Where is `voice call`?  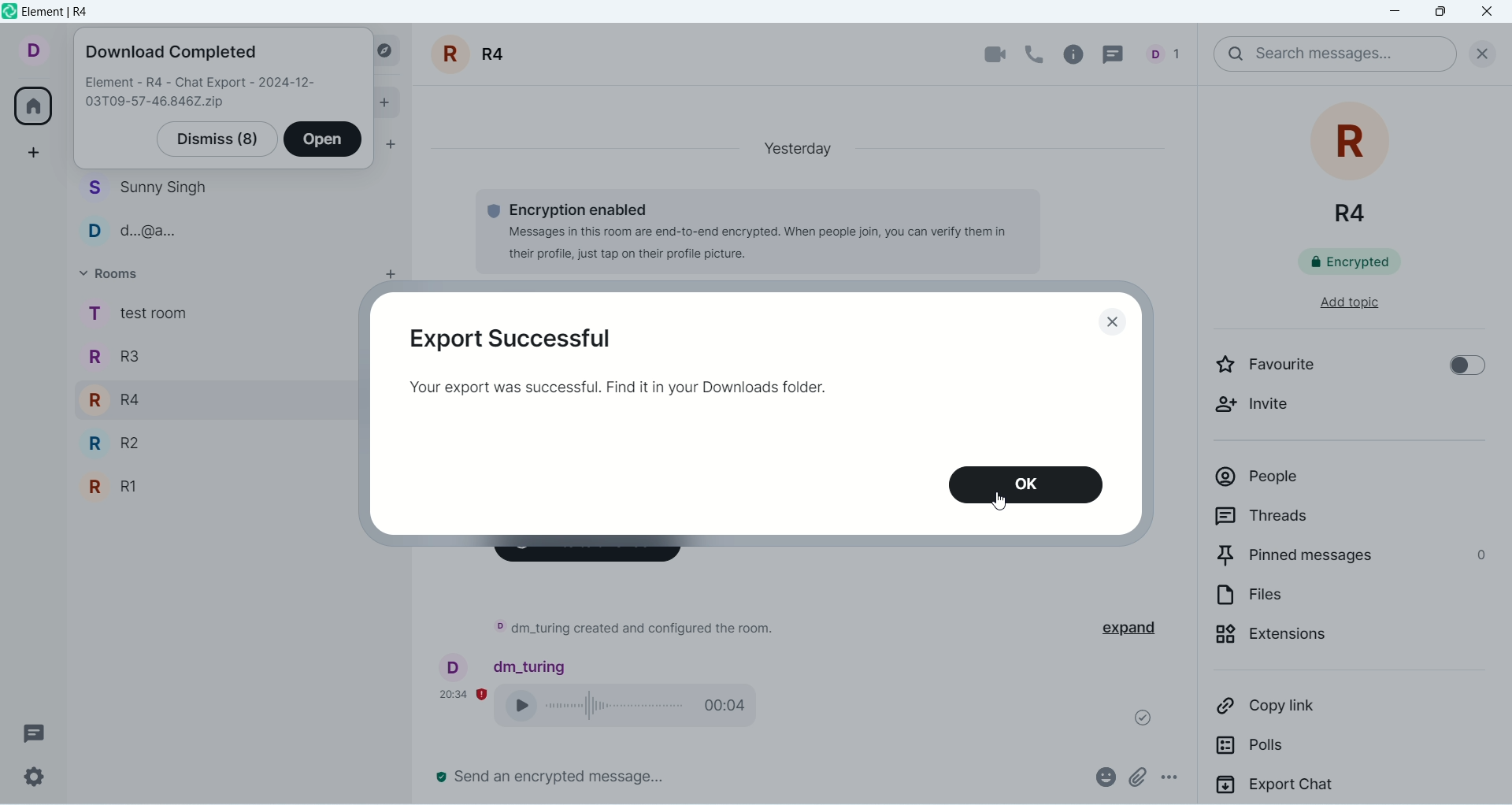 voice call is located at coordinates (1036, 53).